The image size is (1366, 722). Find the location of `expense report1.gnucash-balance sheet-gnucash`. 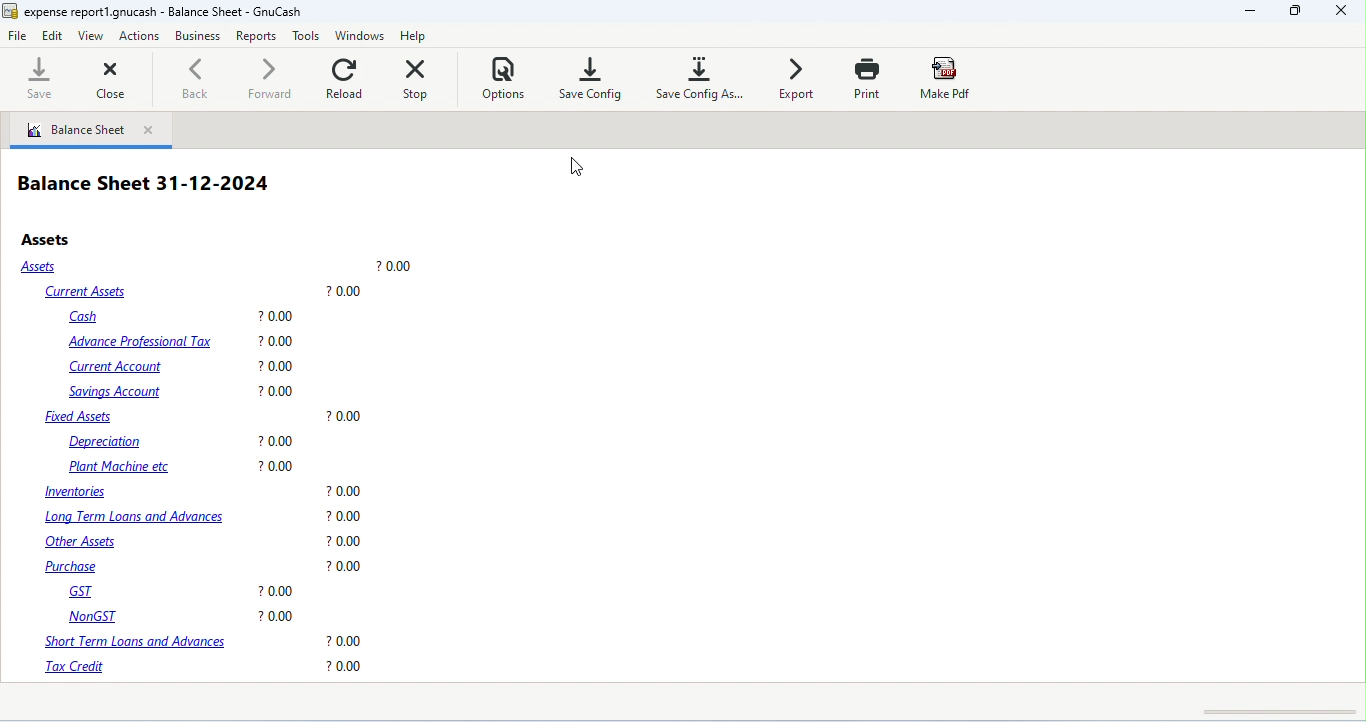

expense report1.gnucash-balance sheet-gnucash is located at coordinates (154, 12).